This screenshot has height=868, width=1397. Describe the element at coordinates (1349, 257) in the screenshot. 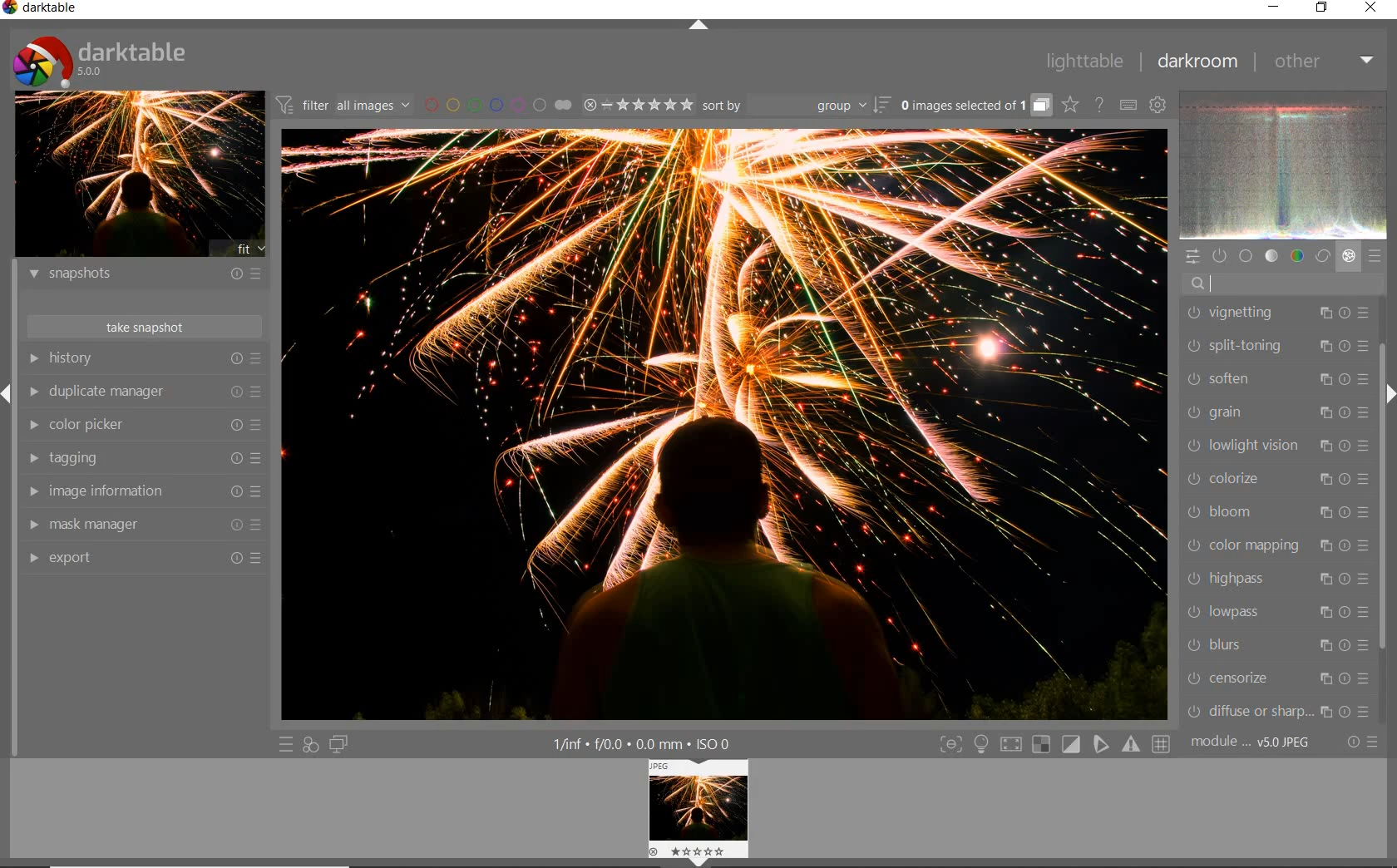

I see `effect` at that location.